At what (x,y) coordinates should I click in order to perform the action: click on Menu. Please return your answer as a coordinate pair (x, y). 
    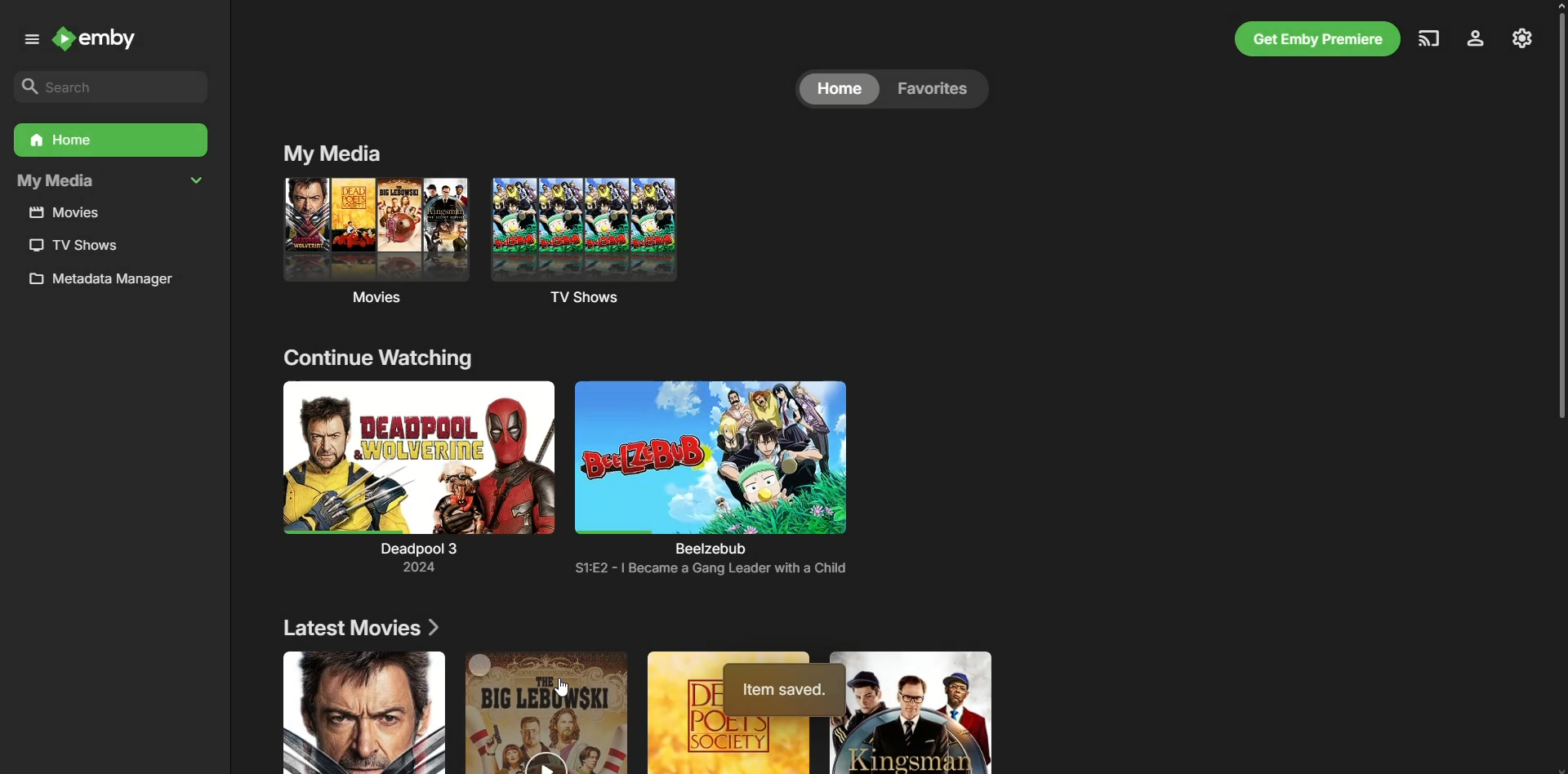
    Looking at the image, I should click on (28, 39).